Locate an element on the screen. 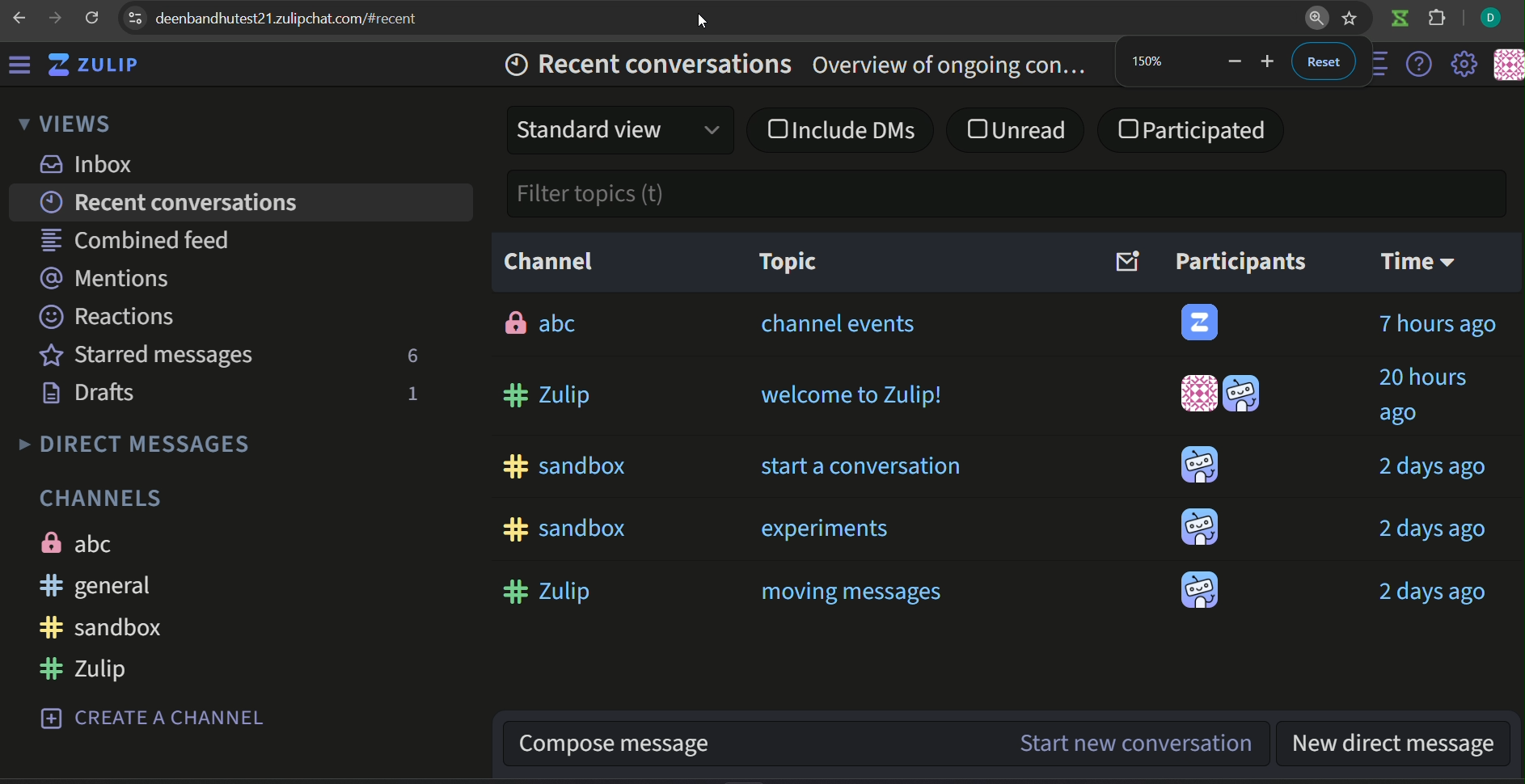 The height and width of the screenshot is (784, 1525). Channel is located at coordinates (549, 261).